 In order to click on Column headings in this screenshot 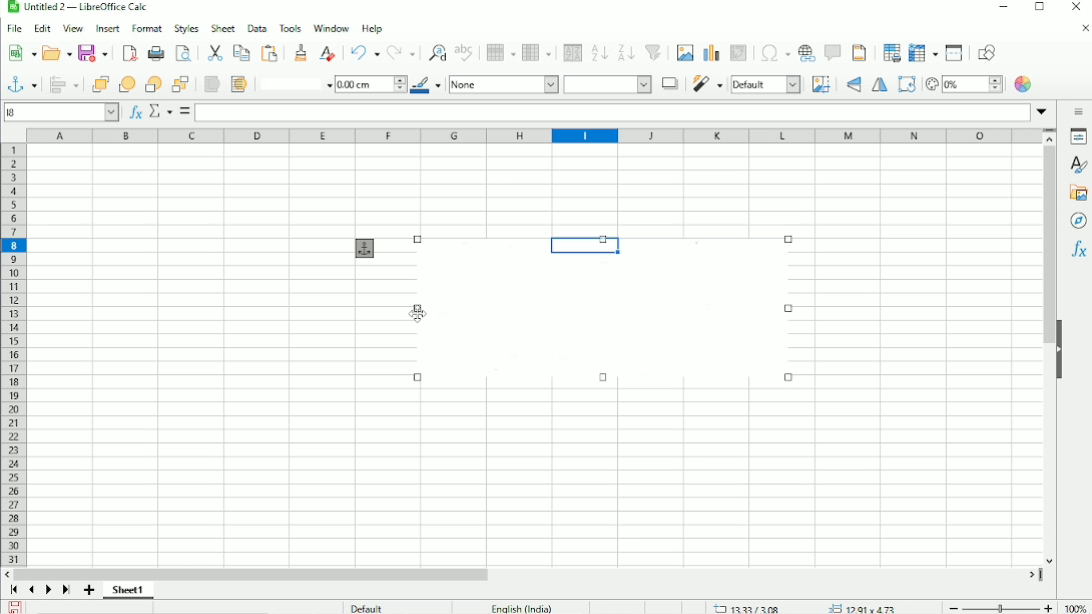, I will do `click(535, 136)`.